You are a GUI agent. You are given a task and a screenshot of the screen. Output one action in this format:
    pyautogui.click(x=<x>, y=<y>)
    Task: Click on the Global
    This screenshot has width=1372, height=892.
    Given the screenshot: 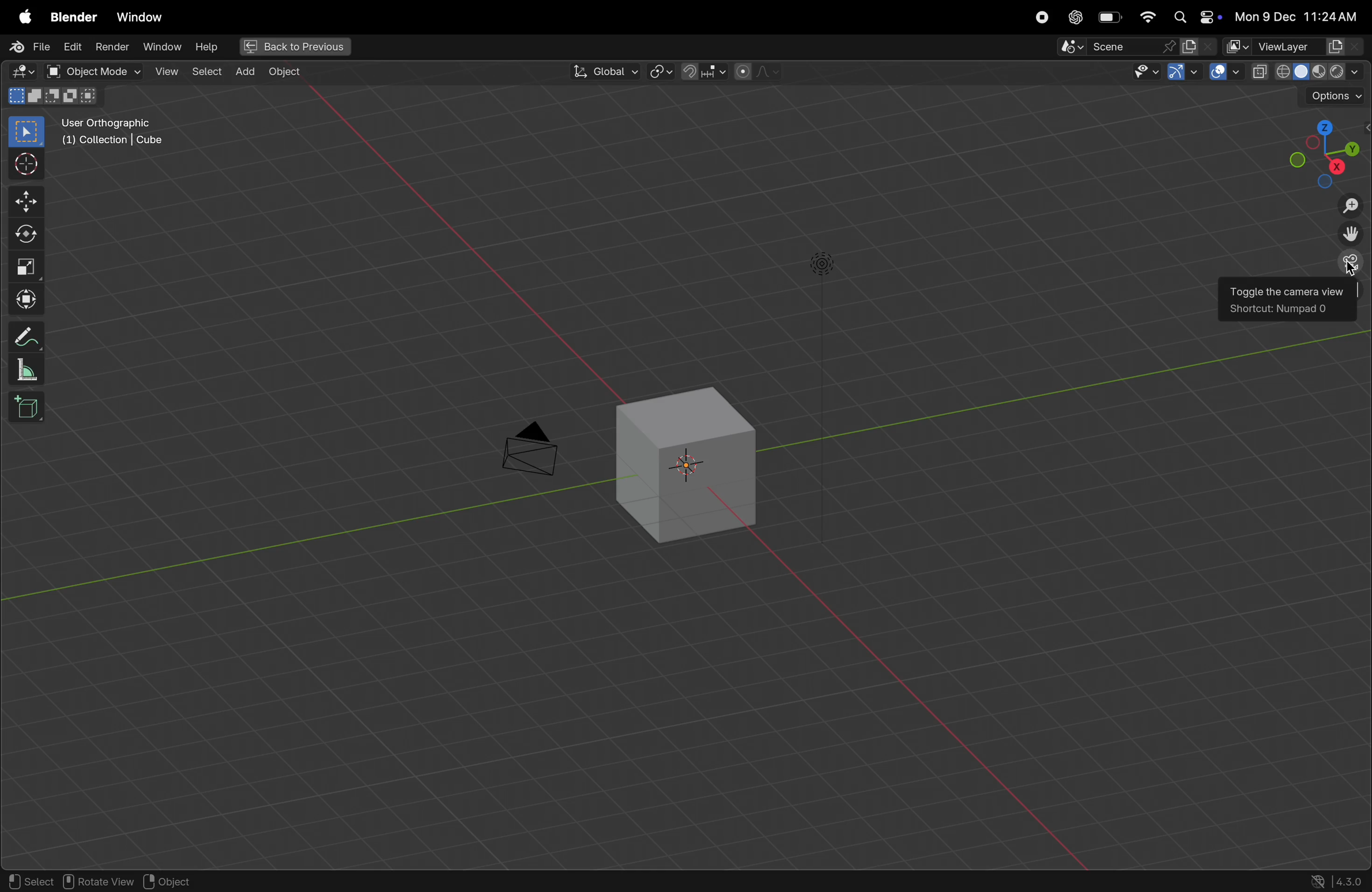 What is the action you would take?
    pyautogui.click(x=605, y=70)
    